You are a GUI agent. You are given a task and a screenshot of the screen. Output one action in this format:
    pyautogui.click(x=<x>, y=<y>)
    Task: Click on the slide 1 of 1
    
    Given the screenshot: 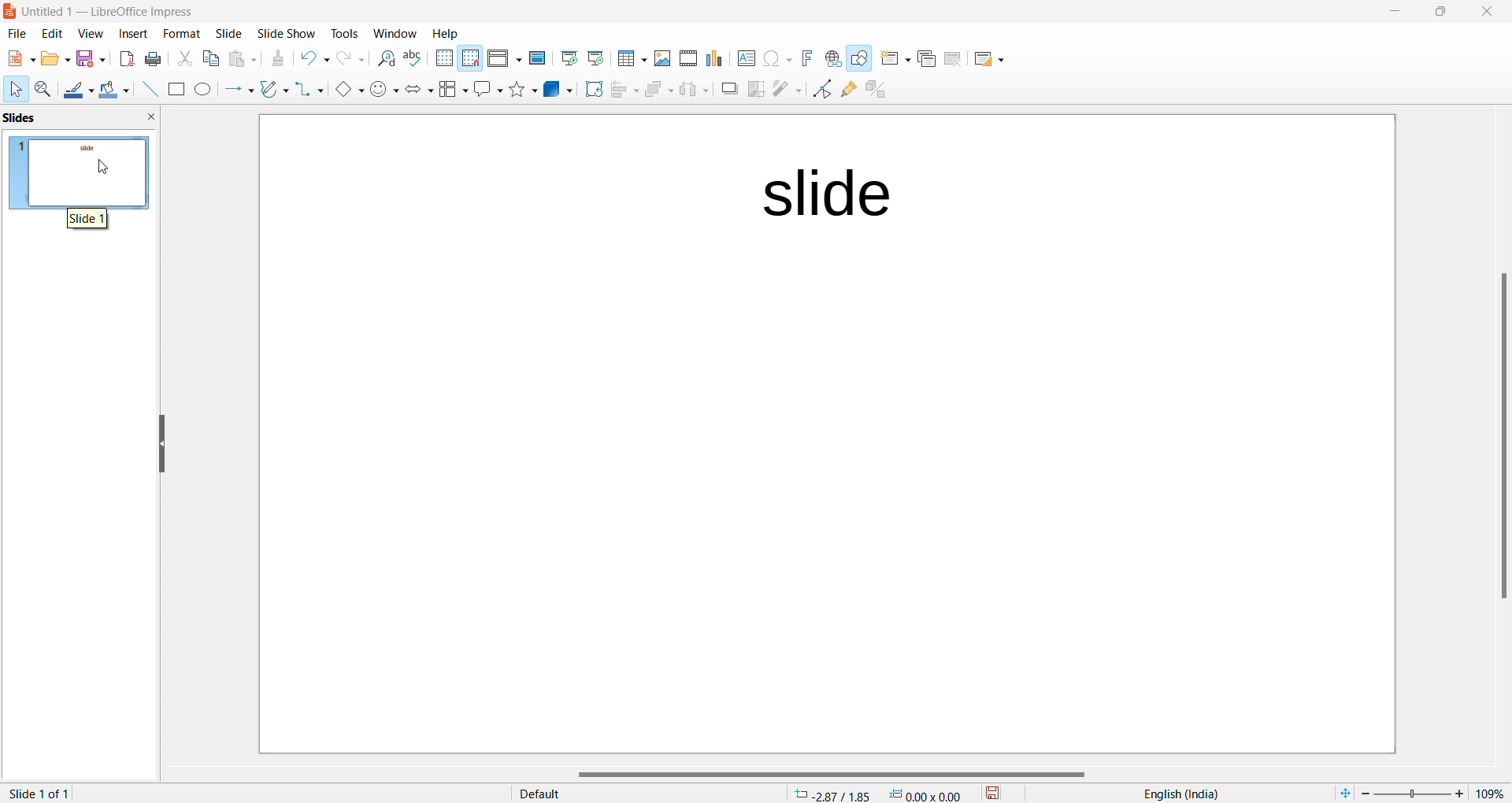 What is the action you would take?
    pyautogui.click(x=48, y=791)
    